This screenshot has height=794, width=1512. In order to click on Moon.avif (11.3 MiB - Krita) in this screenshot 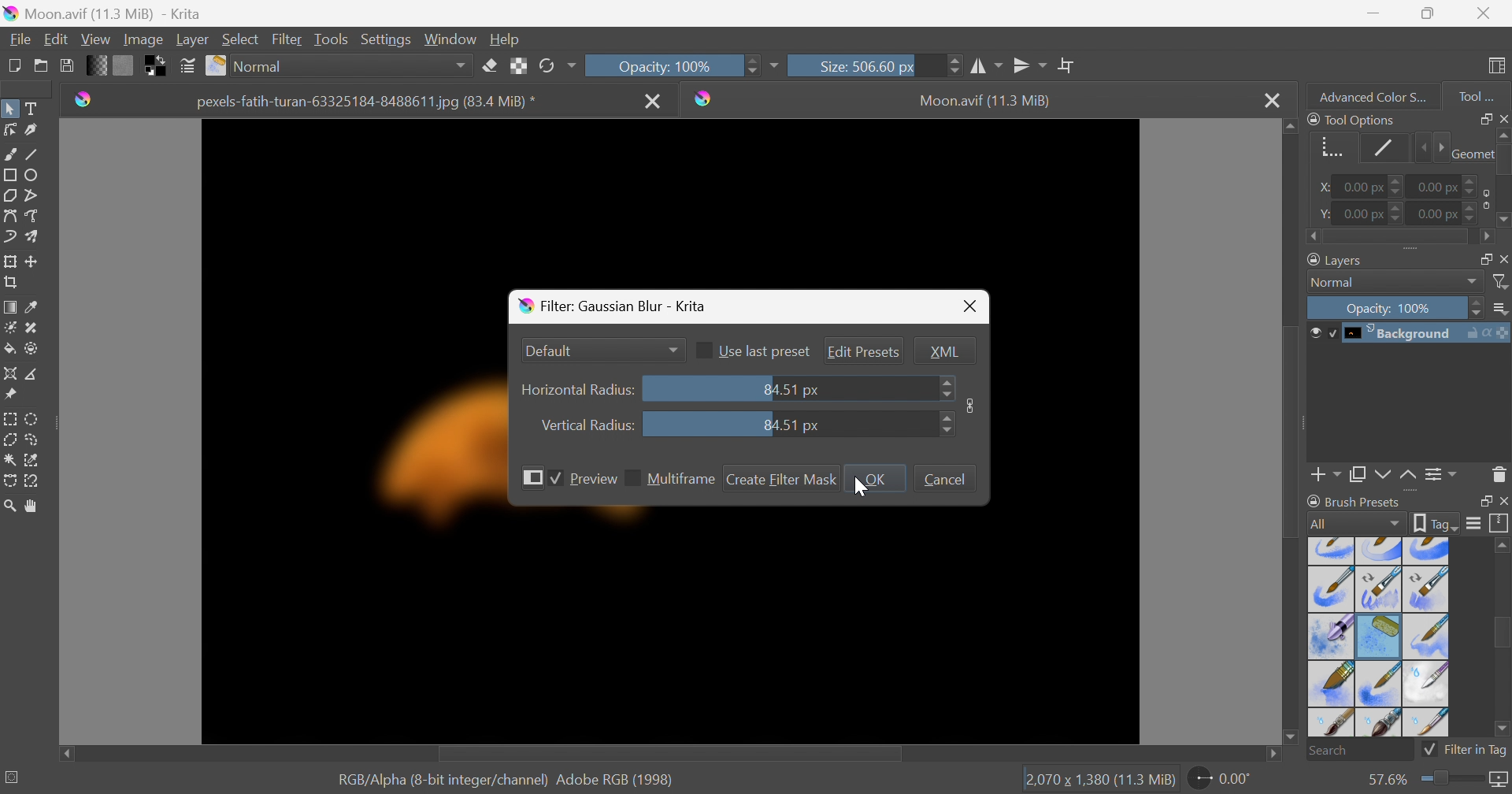, I will do `click(101, 12)`.